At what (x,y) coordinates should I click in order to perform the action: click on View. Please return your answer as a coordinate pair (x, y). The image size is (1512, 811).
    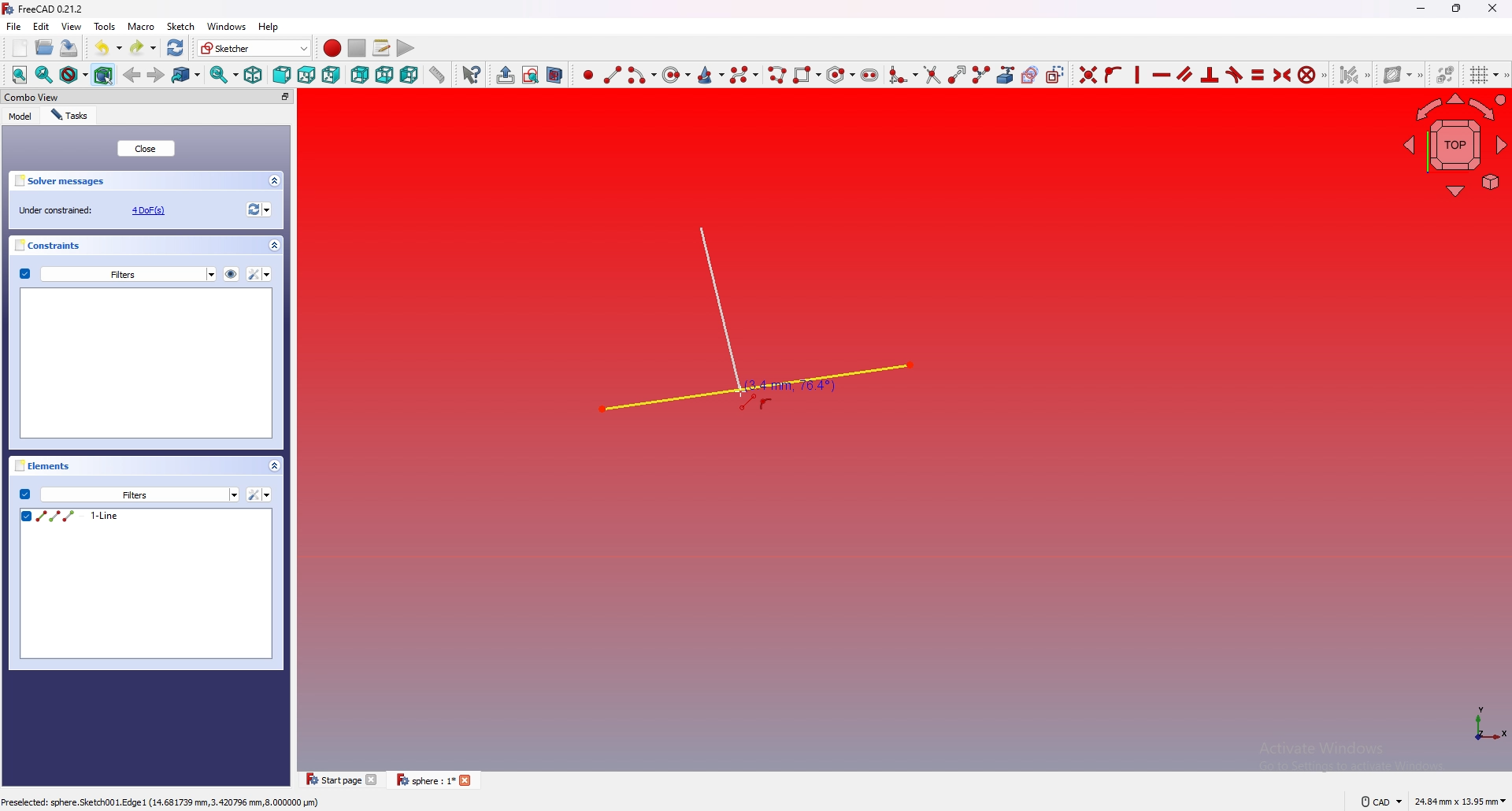
    Looking at the image, I should click on (72, 26).